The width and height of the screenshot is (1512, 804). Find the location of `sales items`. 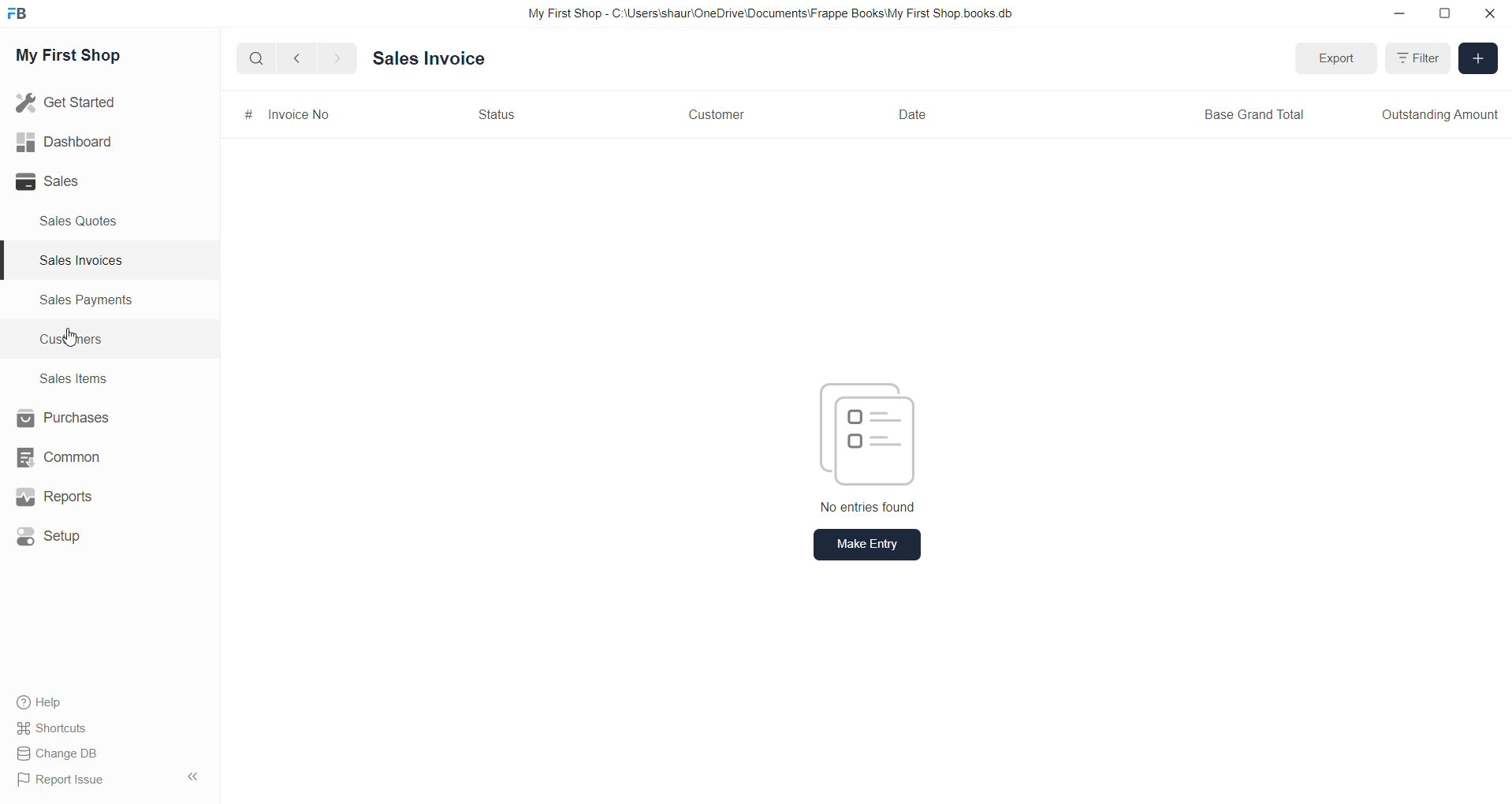

sales items is located at coordinates (73, 378).